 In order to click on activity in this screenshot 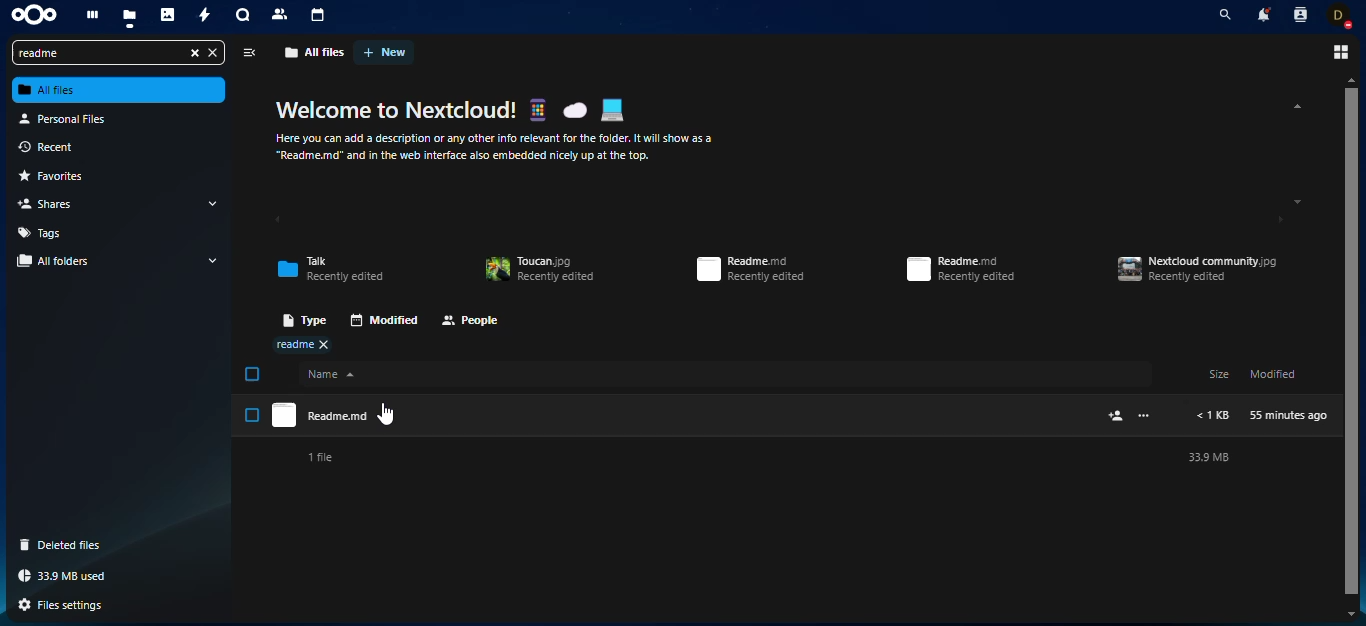, I will do `click(206, 16)`.